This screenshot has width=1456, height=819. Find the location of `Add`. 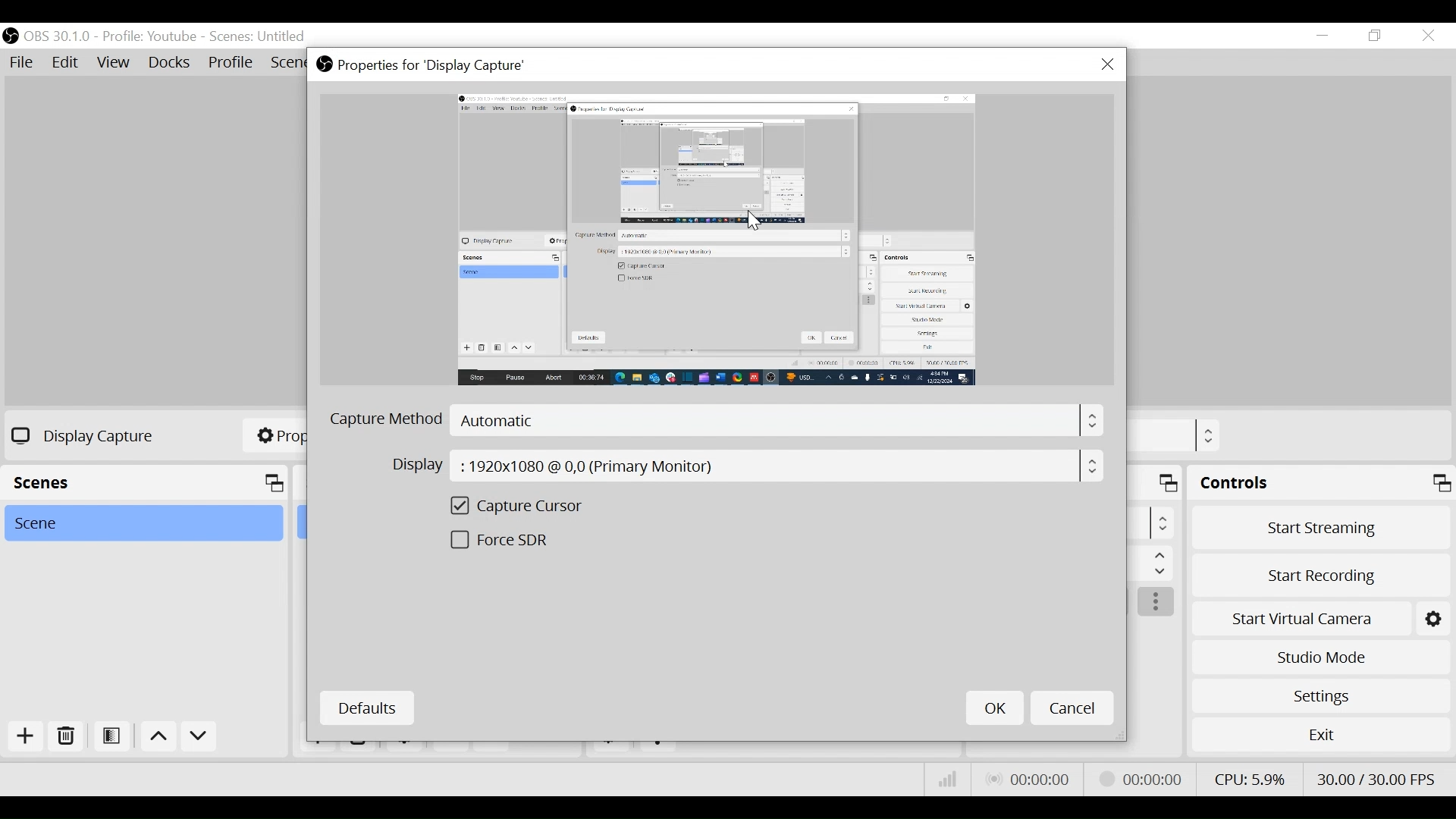

Add is located at coordinates (27, 738).